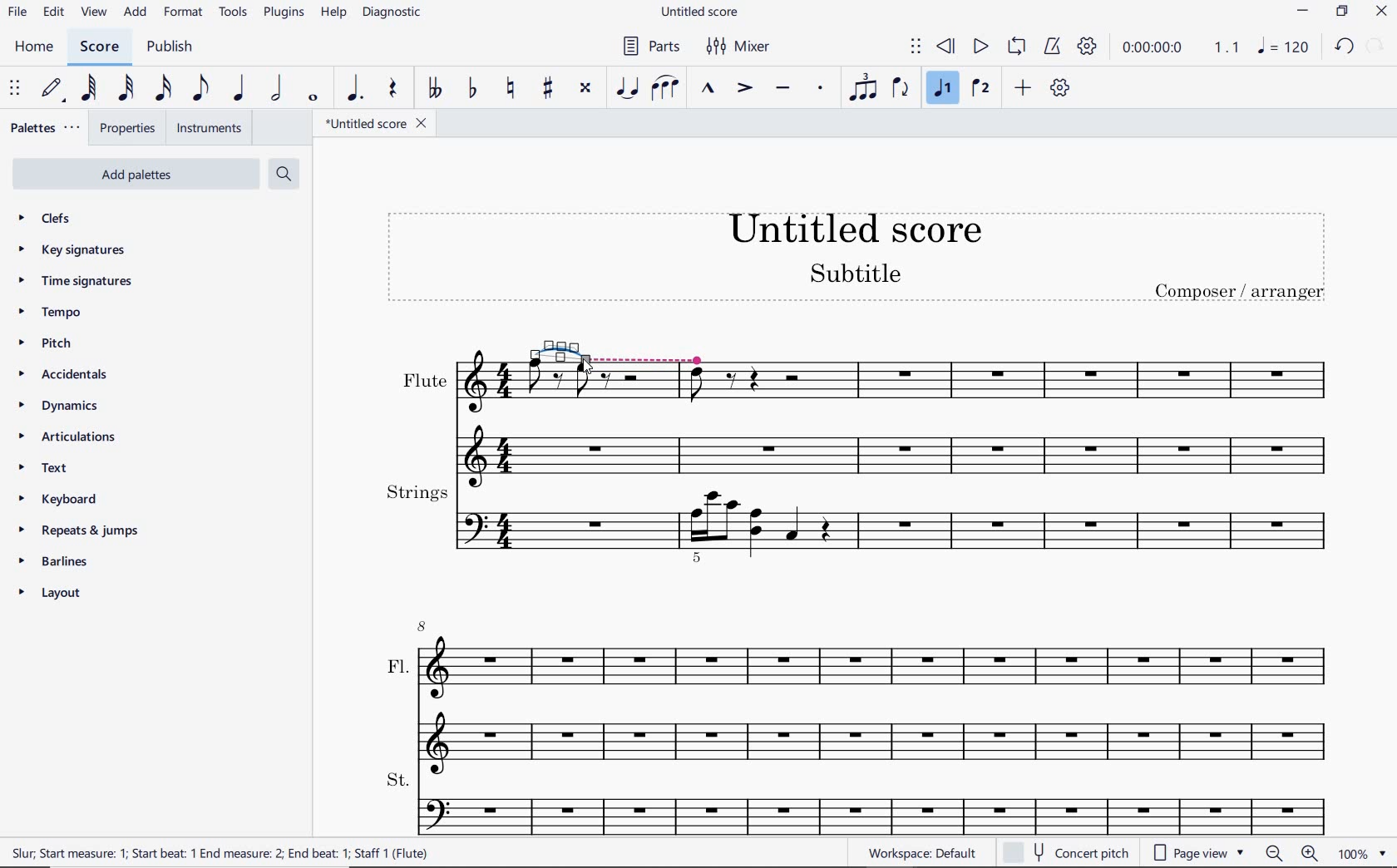 This screenshot has height=868, width=1397. Describe the element at coordinates (856, 259) in the screenshot. I see `title` at that location.